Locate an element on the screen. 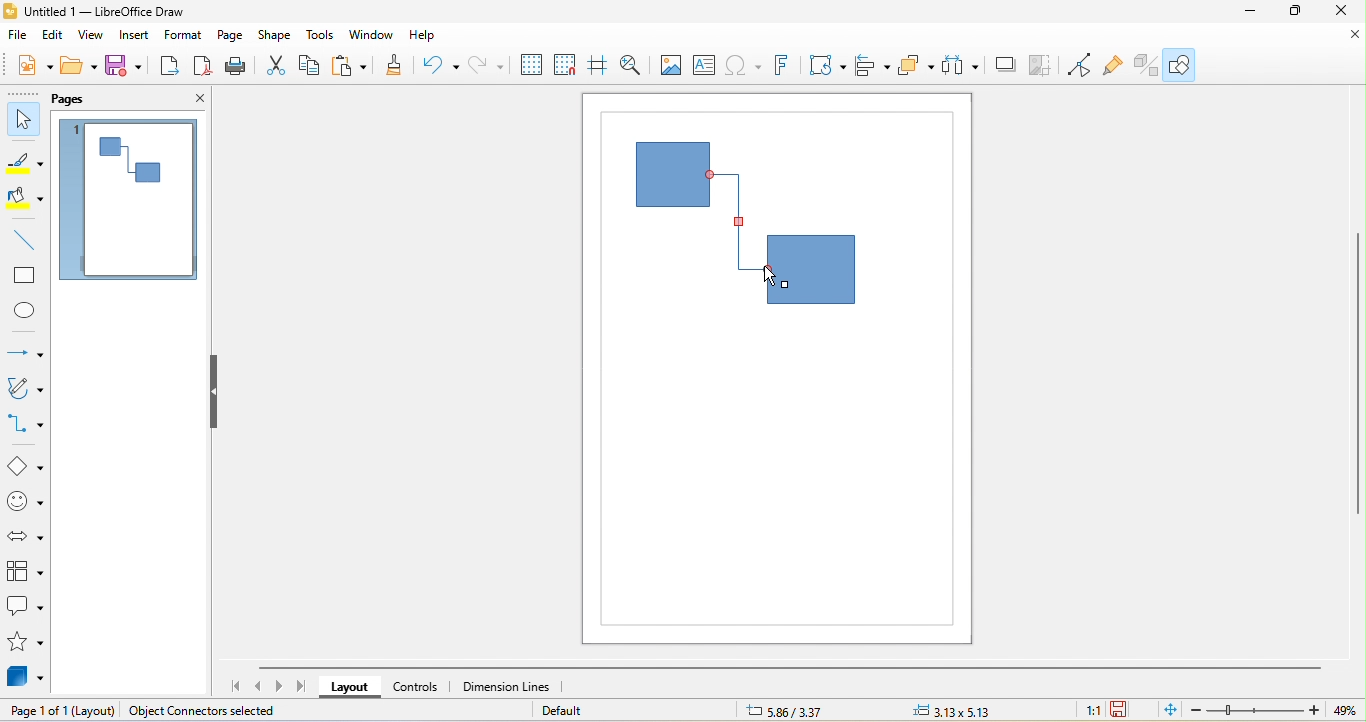 This screenshot has height=722, width=1366. rectangle is located at coordinates (23, 273).